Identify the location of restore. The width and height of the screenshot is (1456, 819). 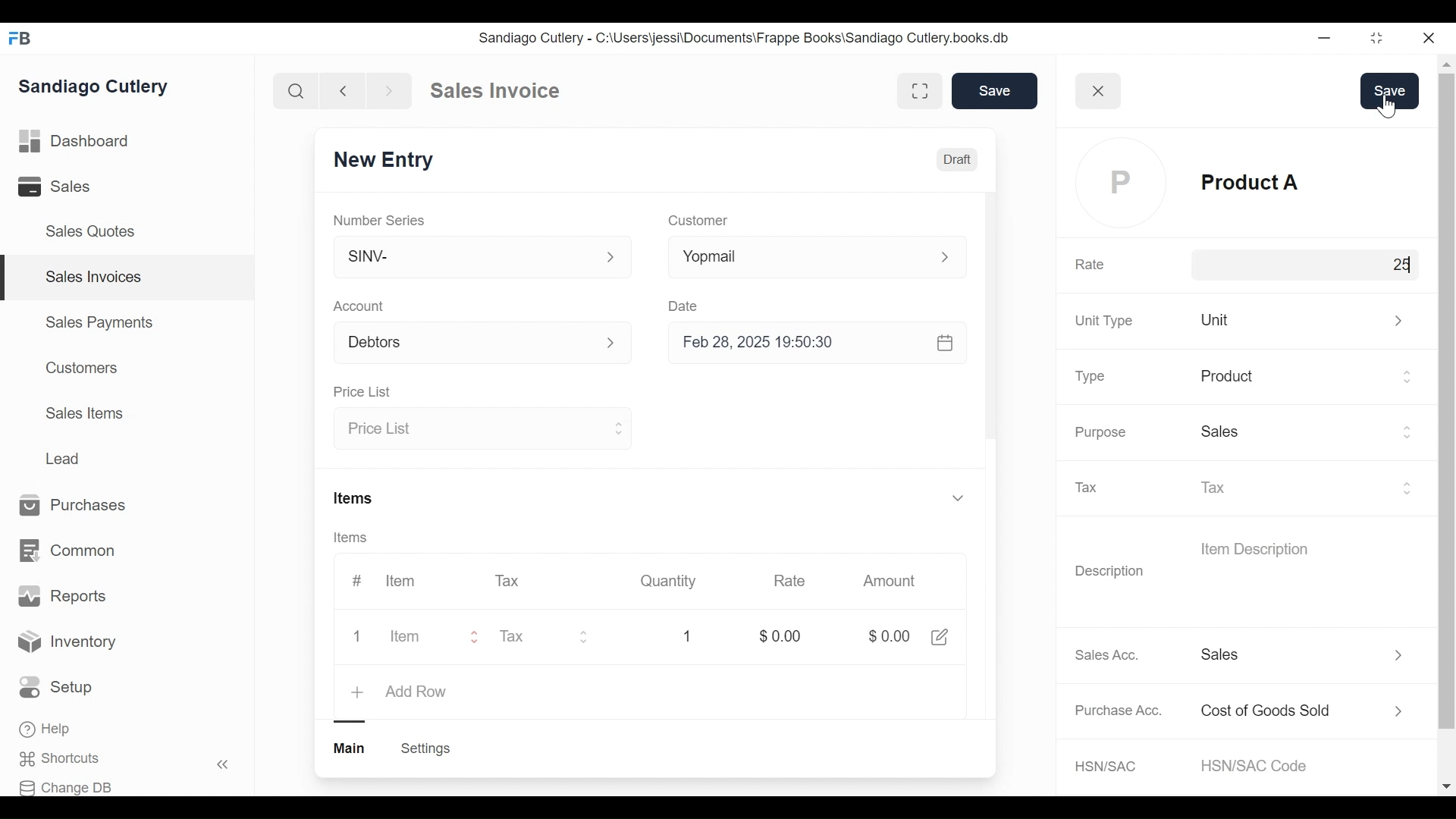
(1376, 37).